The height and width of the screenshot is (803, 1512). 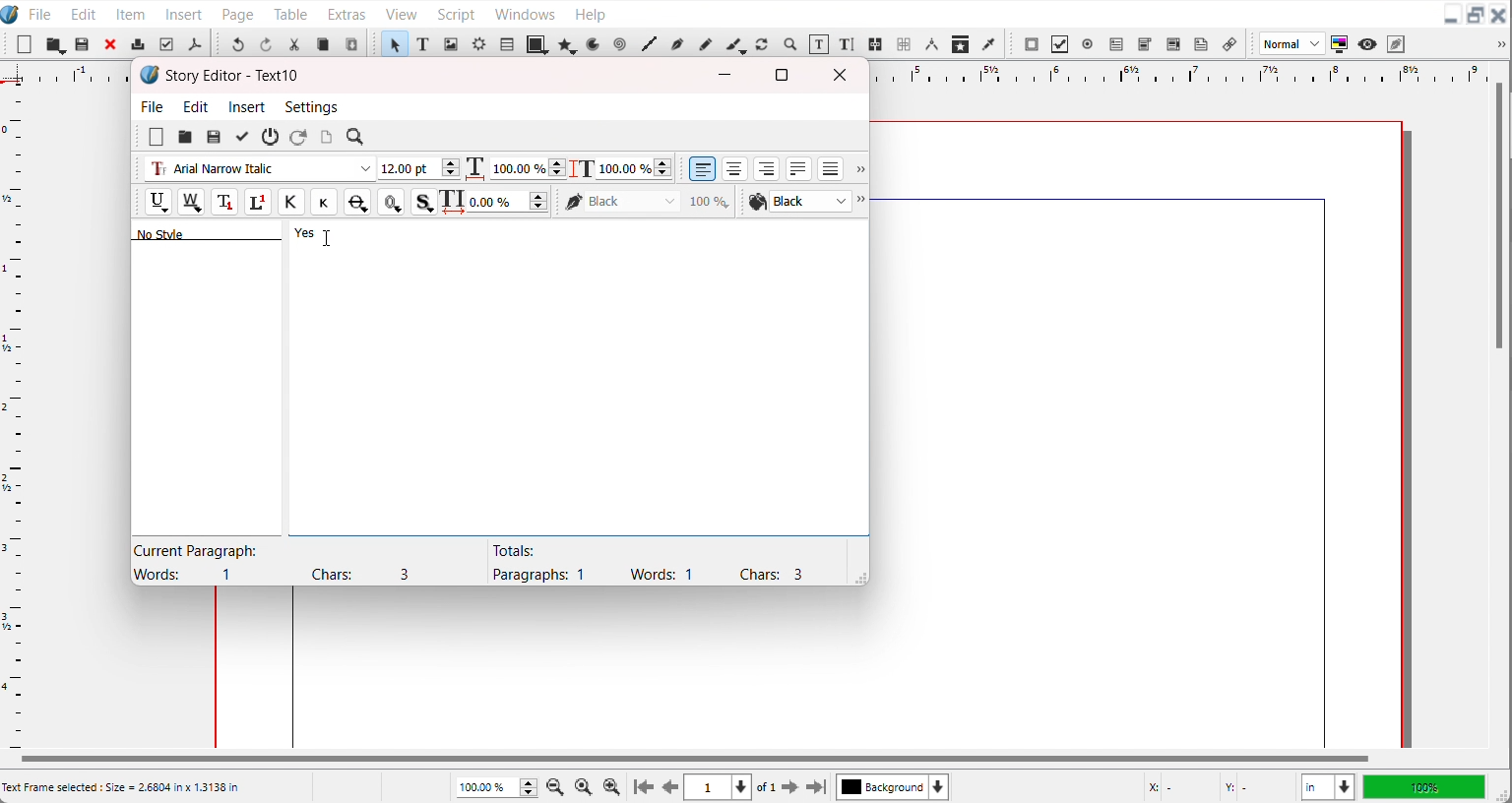 I want to click on Text, so click(x=233, y=76).